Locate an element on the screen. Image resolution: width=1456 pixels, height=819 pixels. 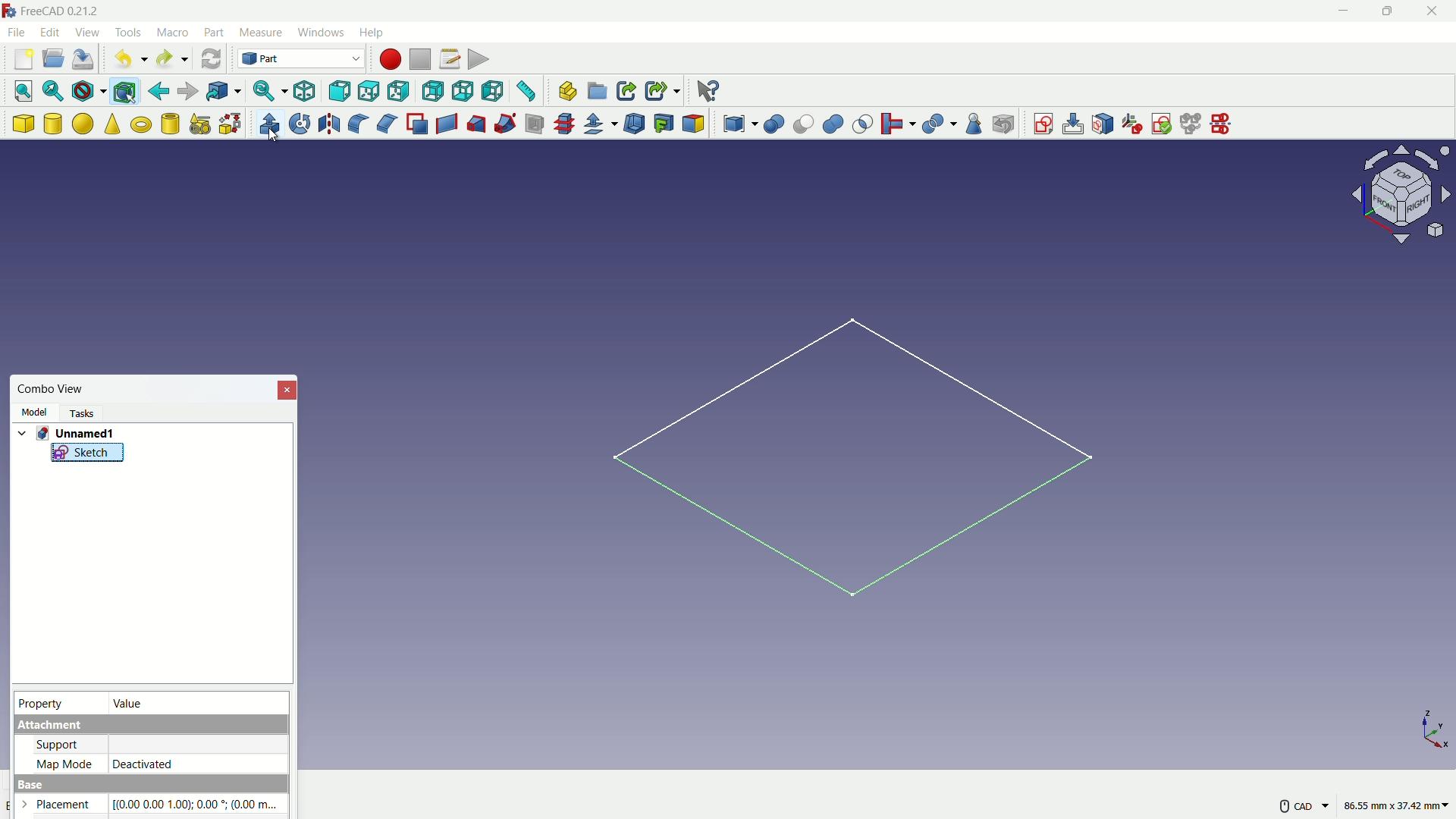
windows is located at coordinates (322, 32).